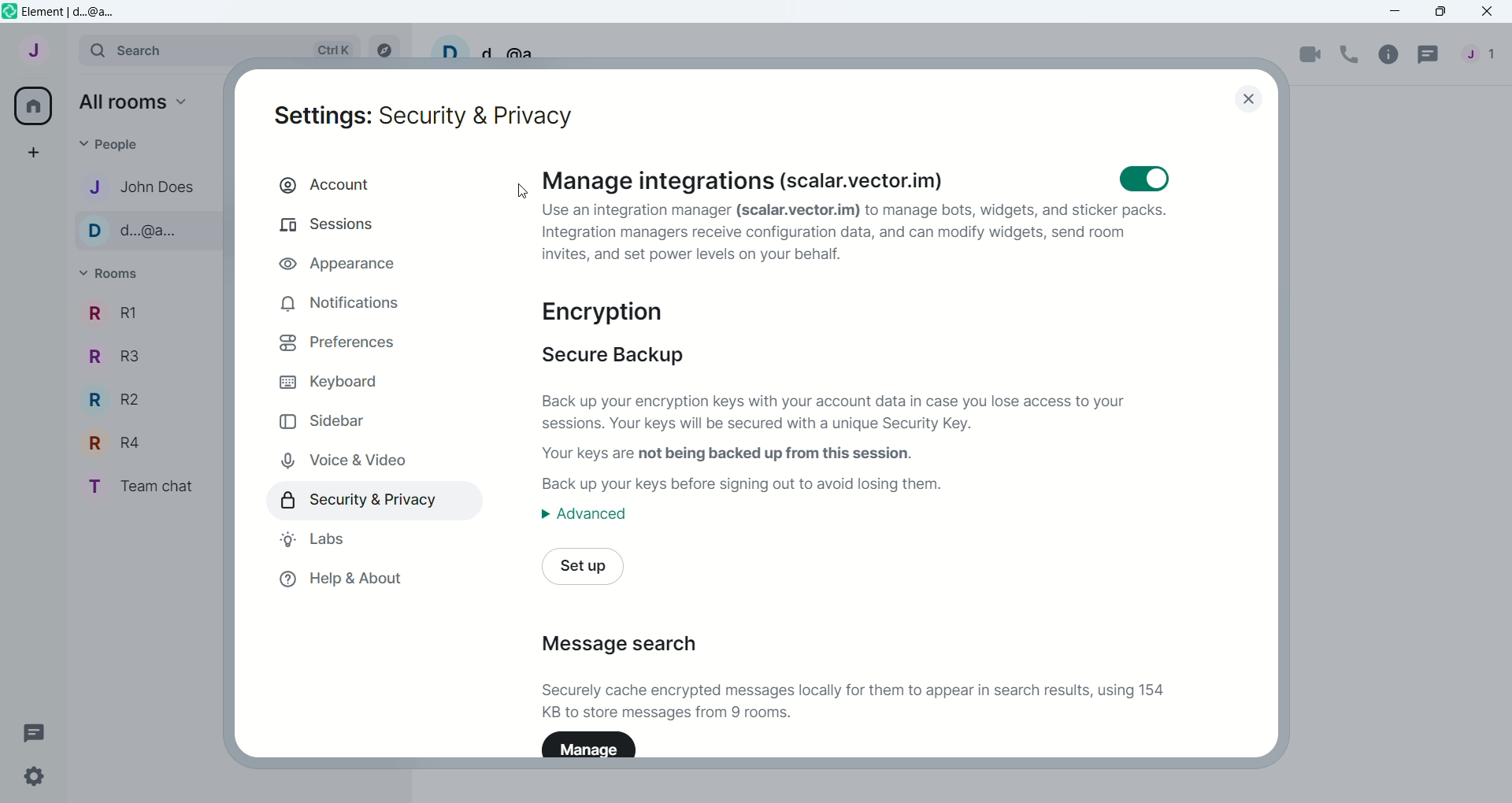 Image resolution: width=1512 pixels, height=803 pixels. What do you see at coordinates (1311, 55) in the screenshot?
I see `video call` at bounding box center [1311, 55].